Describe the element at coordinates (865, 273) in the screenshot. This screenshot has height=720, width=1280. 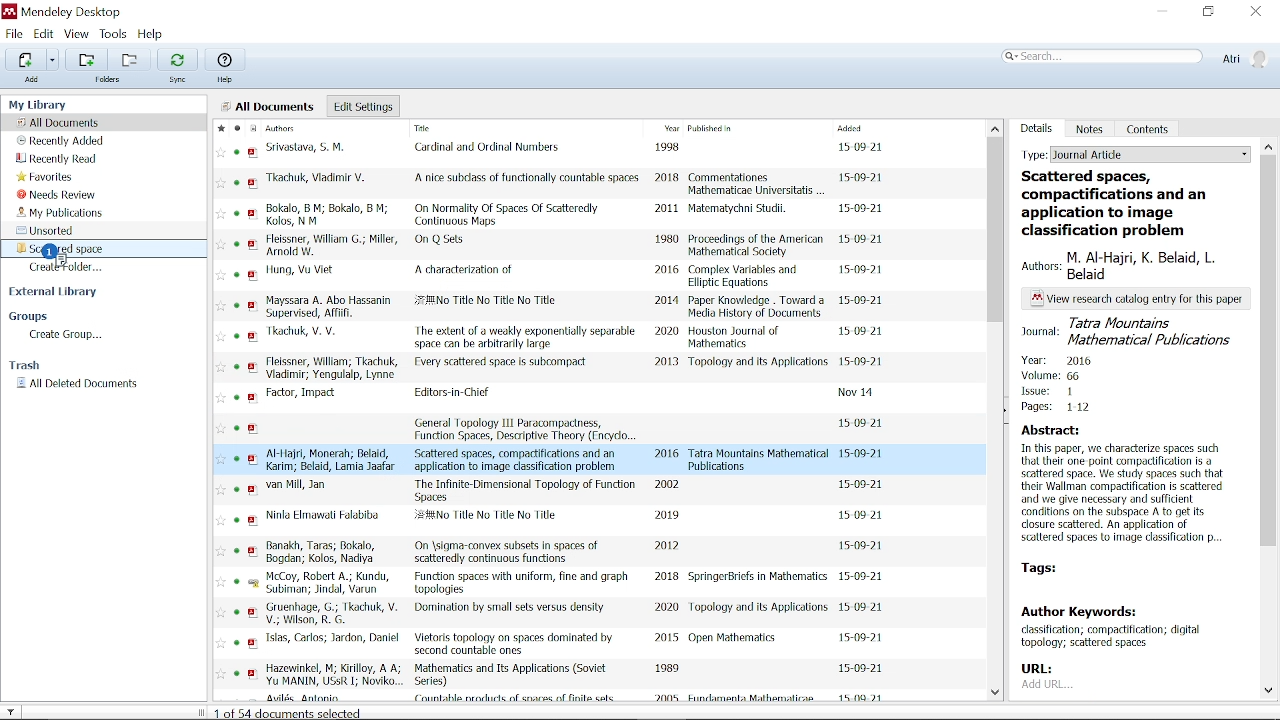
I see `date` at that location.